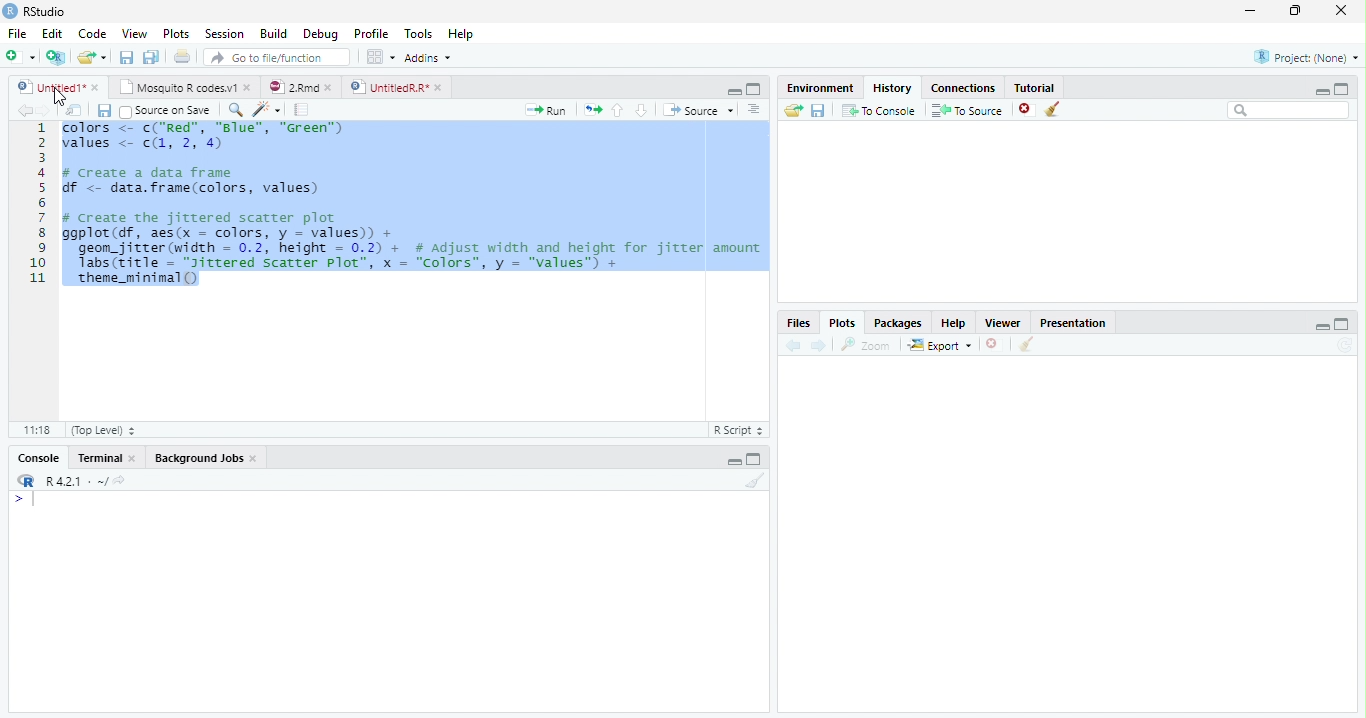 The height and width of the screenshot is (718, 1366). I want to click on Code tools, so click(268, 110).